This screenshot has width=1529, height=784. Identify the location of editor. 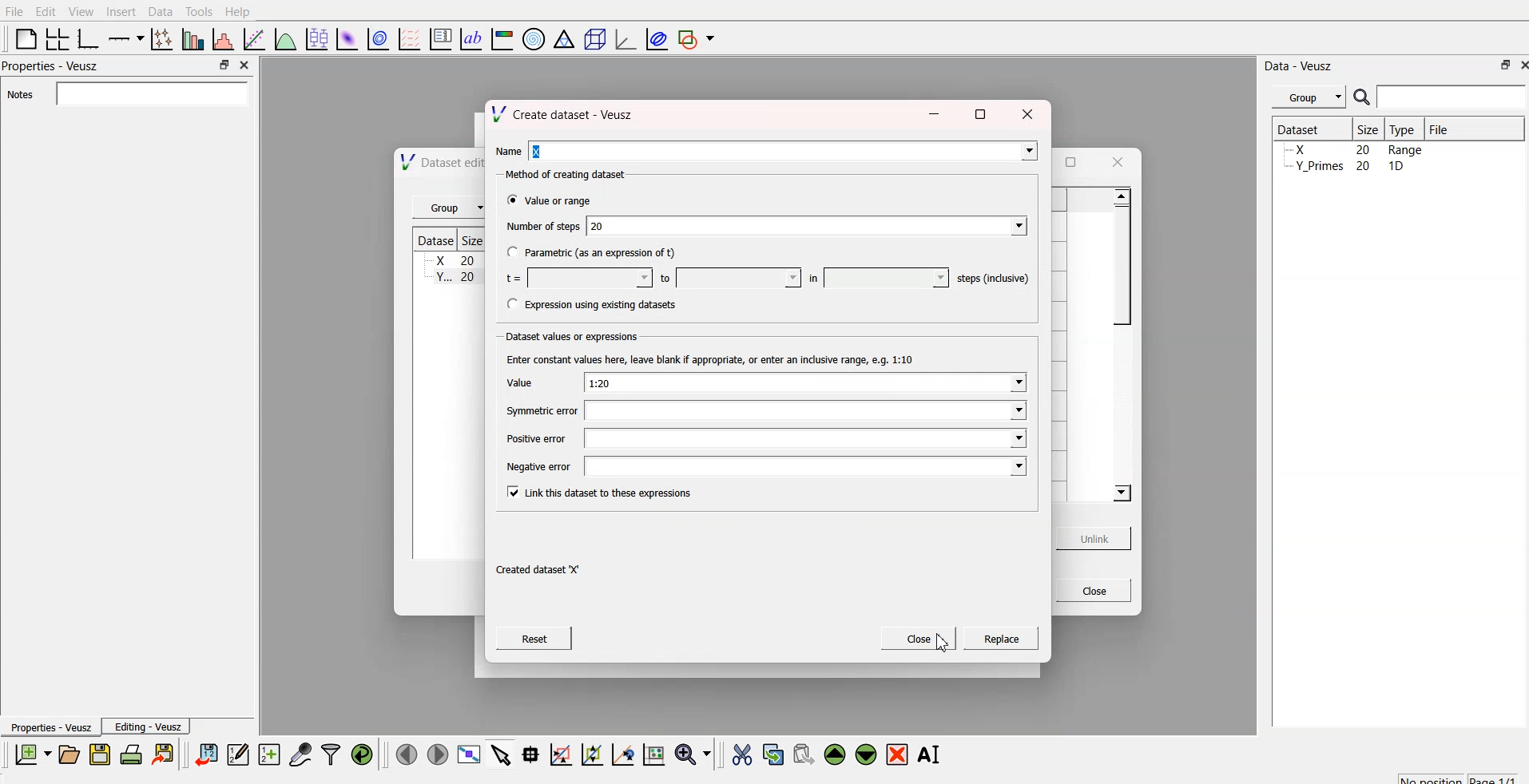
(239, 754).